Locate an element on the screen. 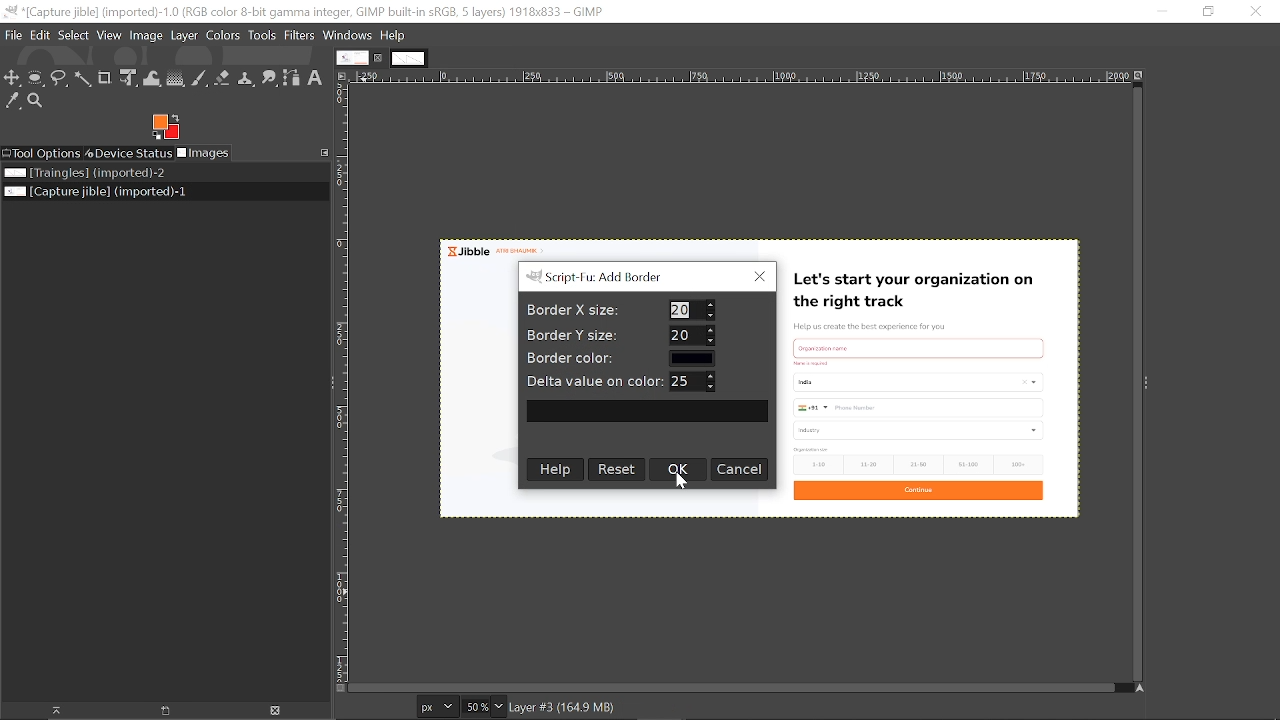 This screenshot has height=720, width=1280. Smudge tool is located at coordinates (270, 77).